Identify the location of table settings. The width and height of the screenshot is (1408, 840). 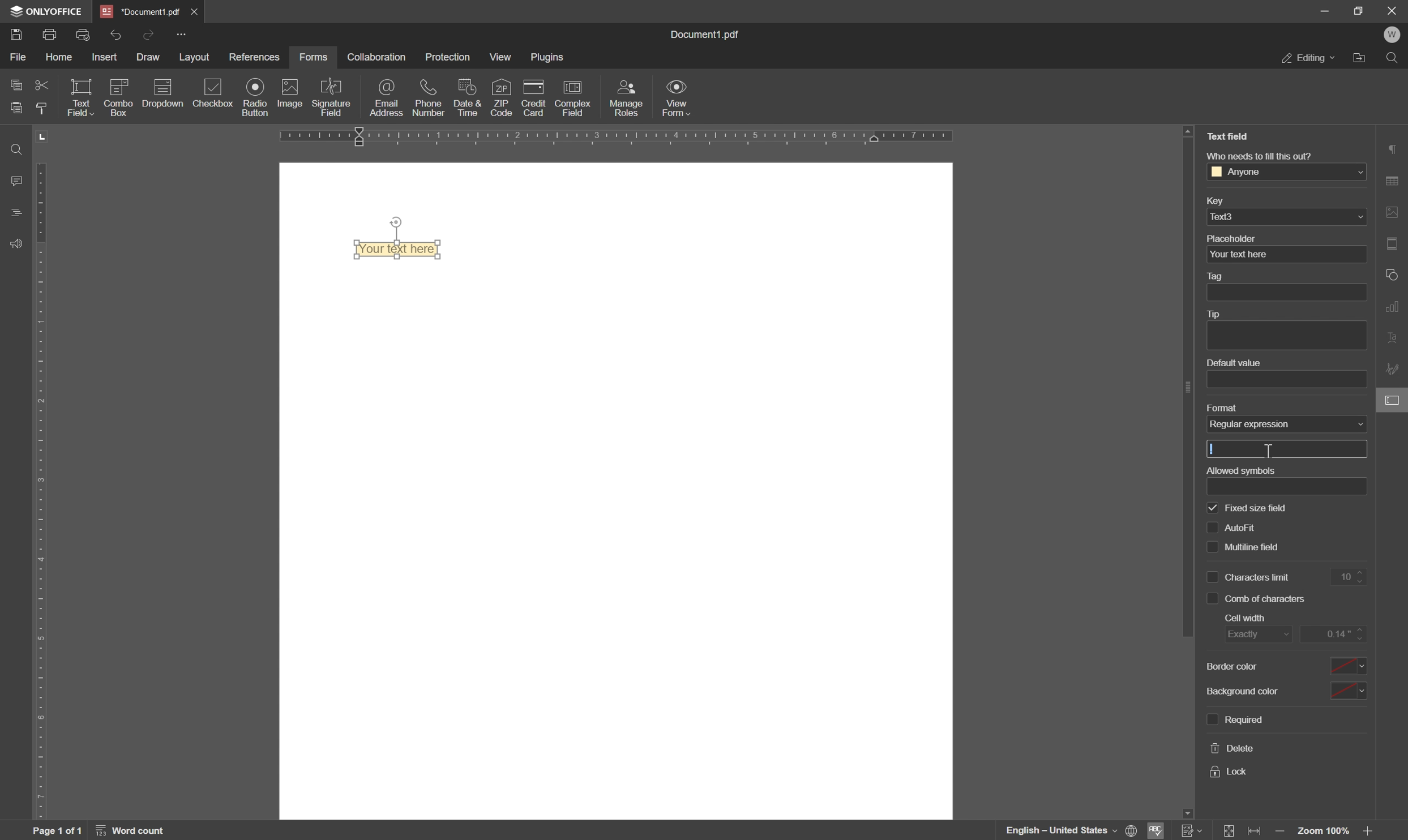
(1395, 180).